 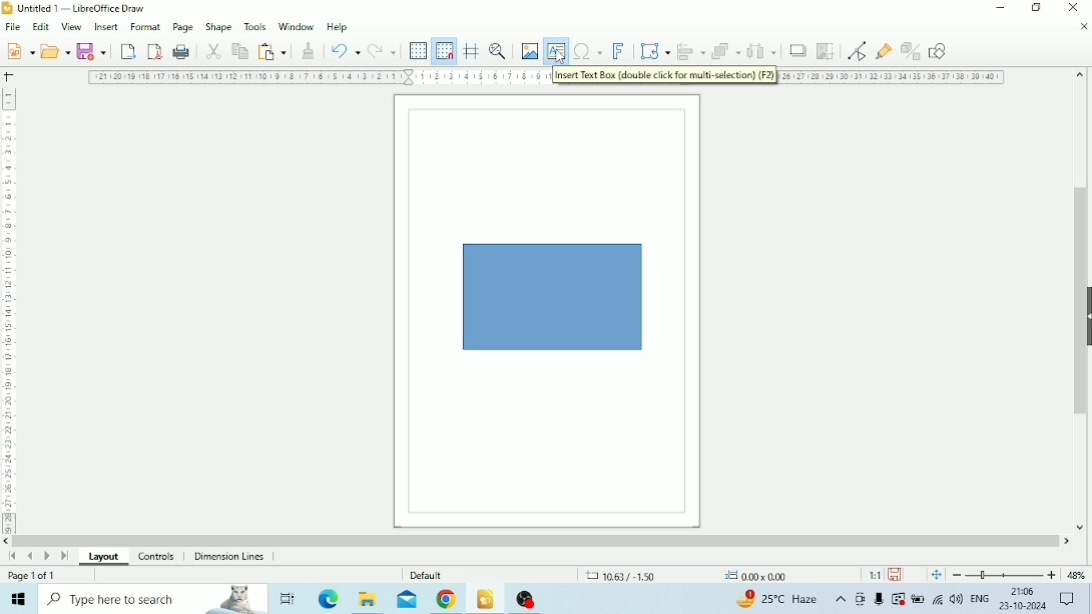 What do you see at coordinates (858, 52) in the screenshot?
I see `Toggle Point Edit Mode` at bounding box center [858, 52].